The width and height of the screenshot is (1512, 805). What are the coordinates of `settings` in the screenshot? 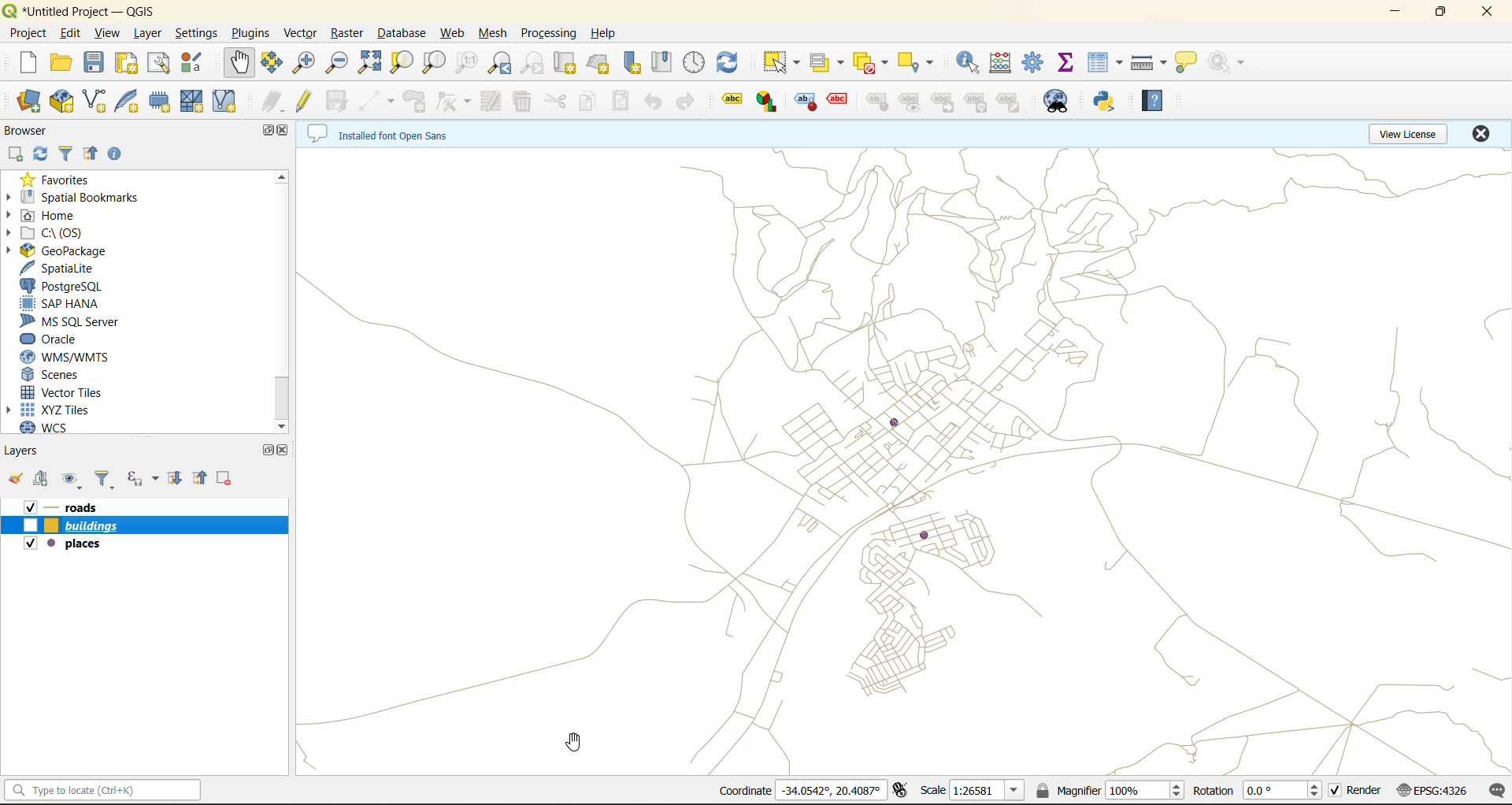 It's located at (198, 33).